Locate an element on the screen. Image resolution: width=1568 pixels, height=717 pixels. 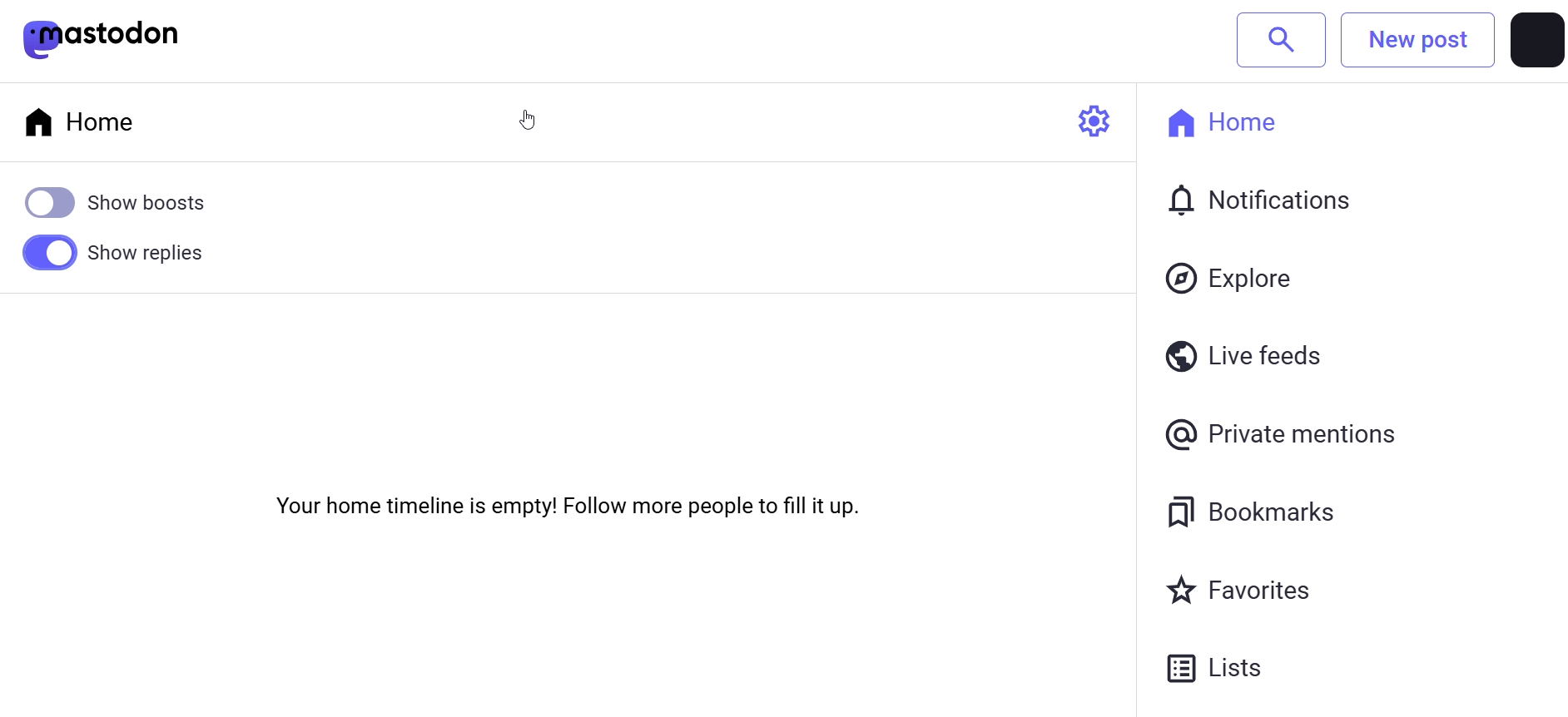
mastodon is located at coordinates (122, 37).